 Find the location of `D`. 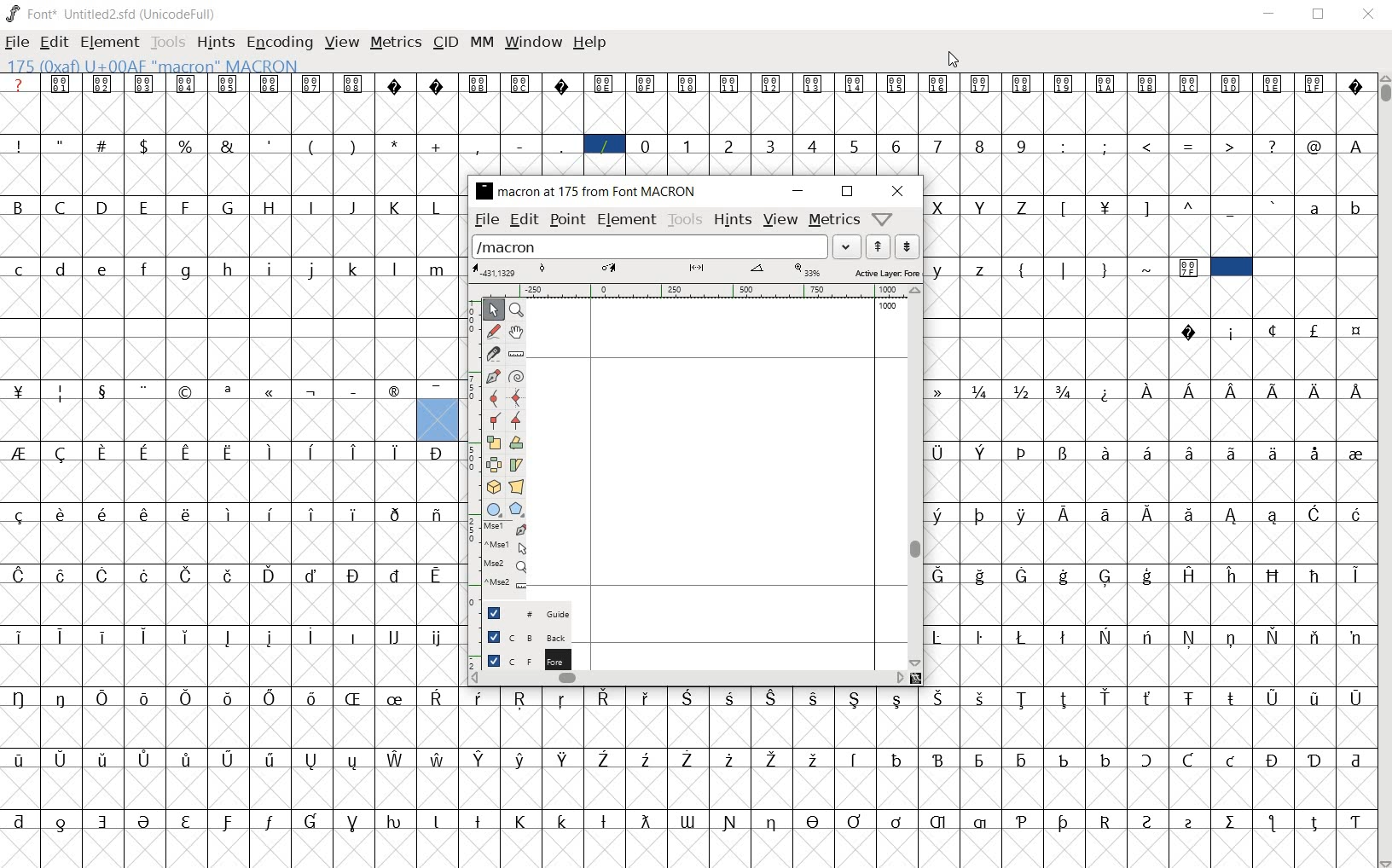

D is located at coordinates (104, 208).